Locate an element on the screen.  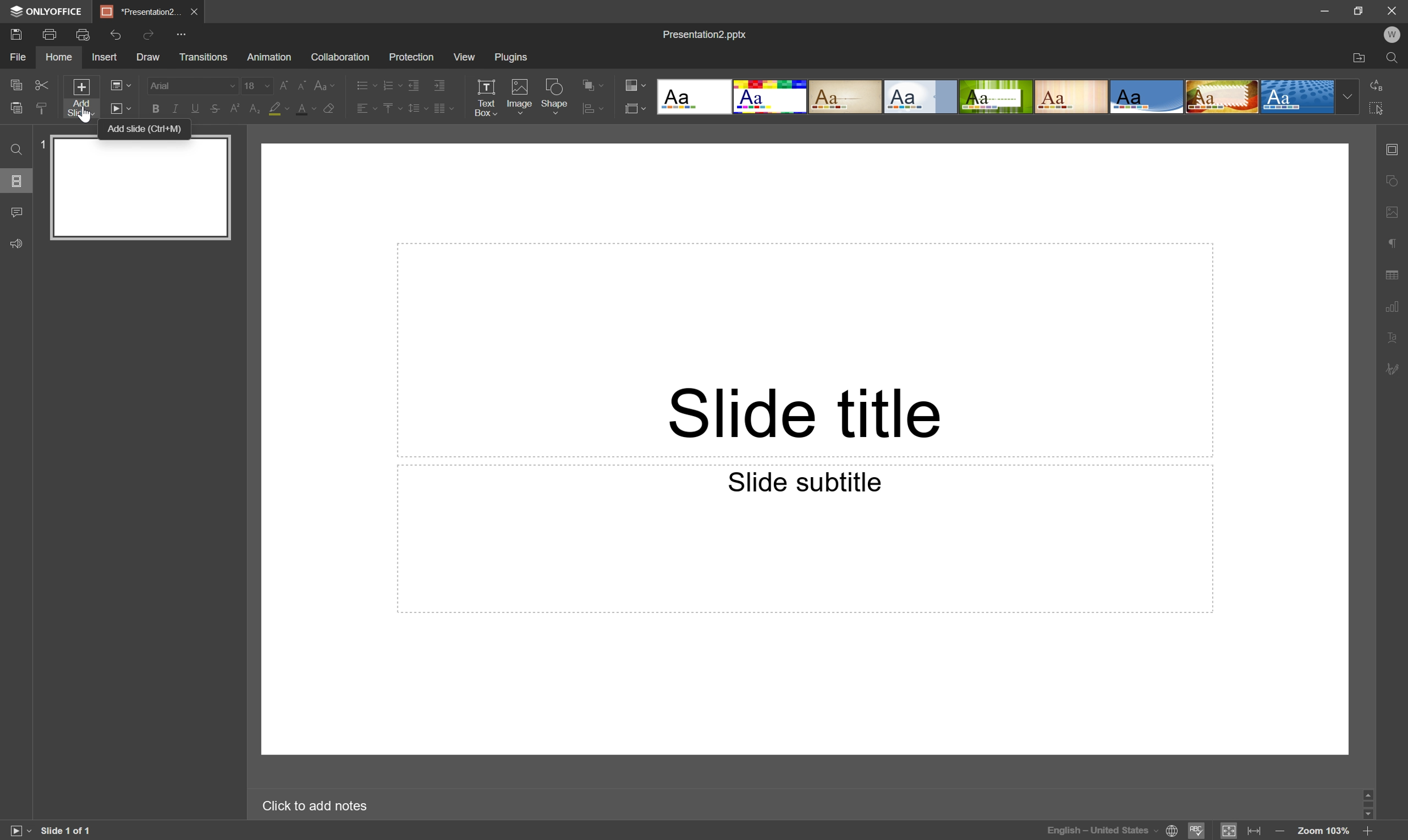
Set document language is located at coordinates (1173, 833).